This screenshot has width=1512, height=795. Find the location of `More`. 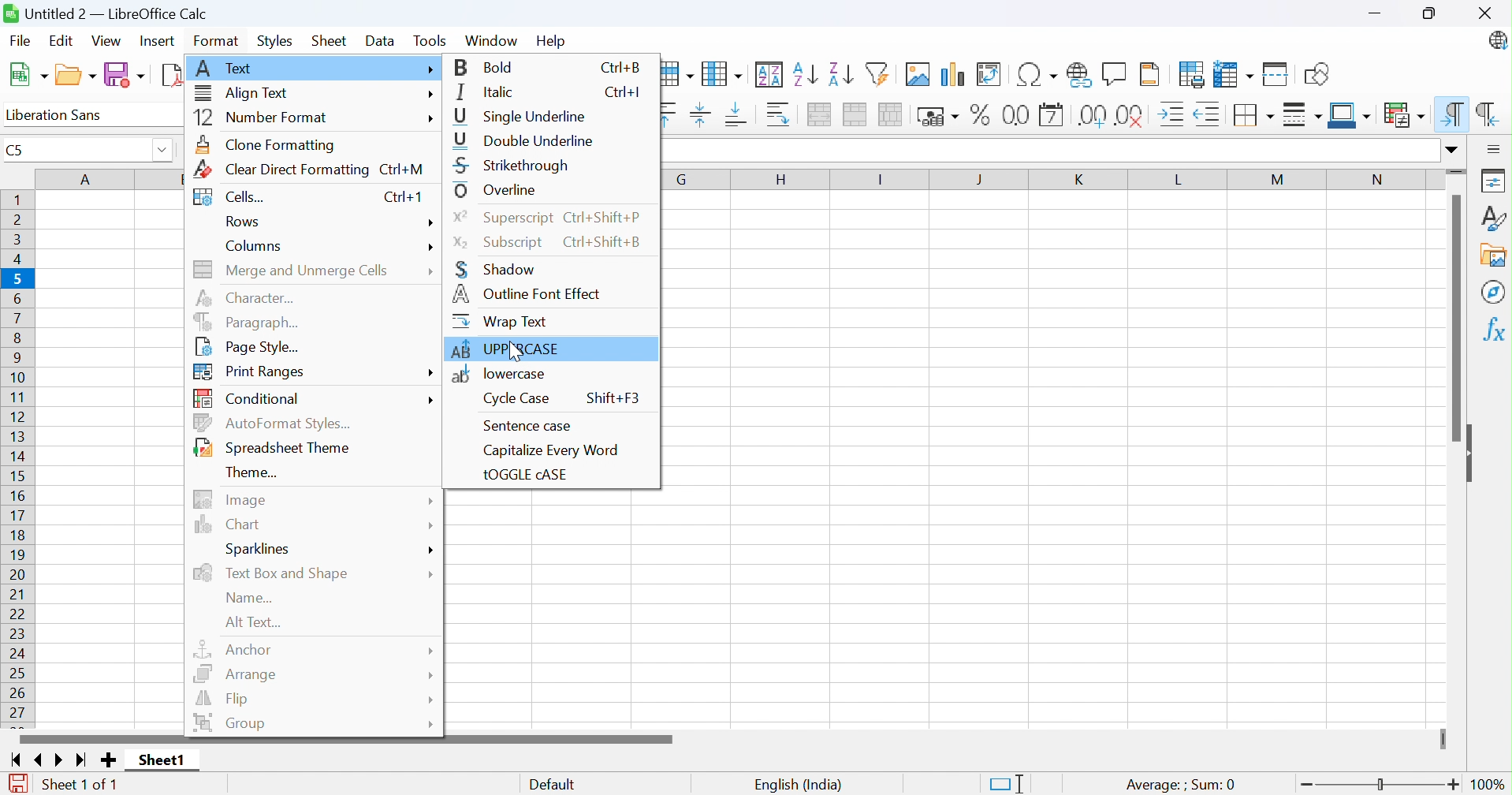

More is located at coordinates (430, 651).